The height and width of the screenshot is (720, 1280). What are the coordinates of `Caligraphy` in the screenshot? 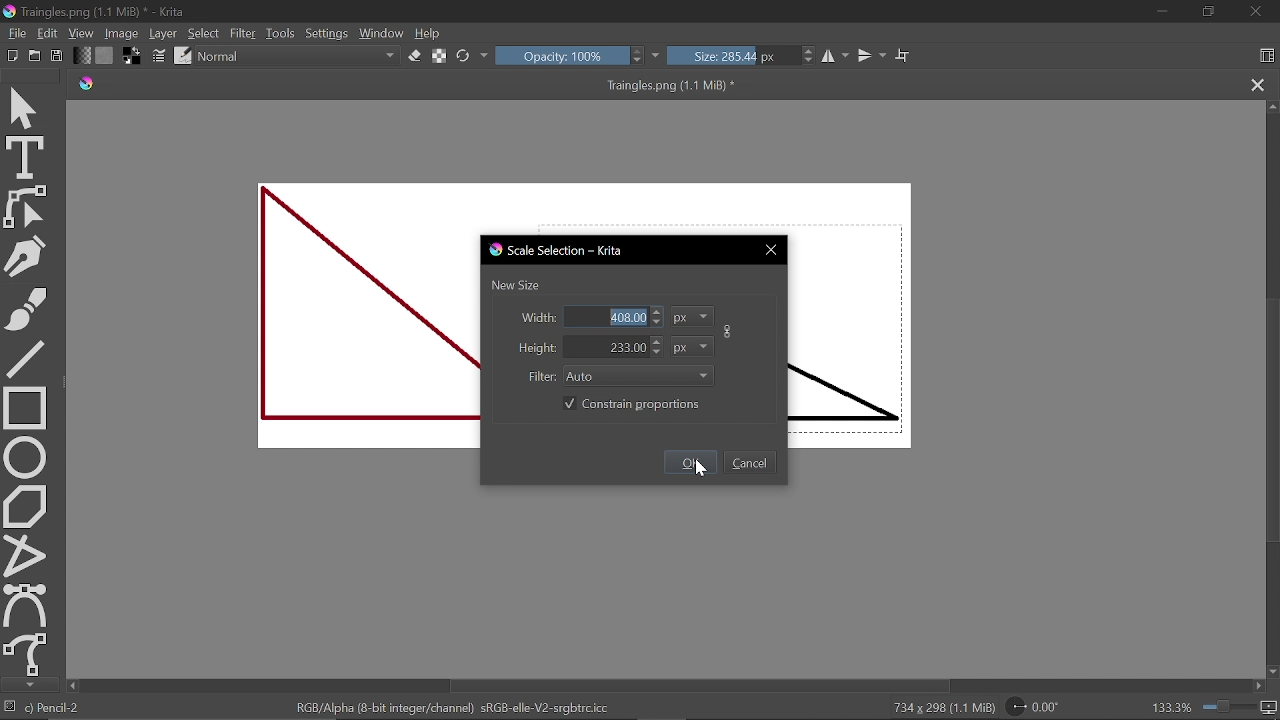 It's located at (26, 254).